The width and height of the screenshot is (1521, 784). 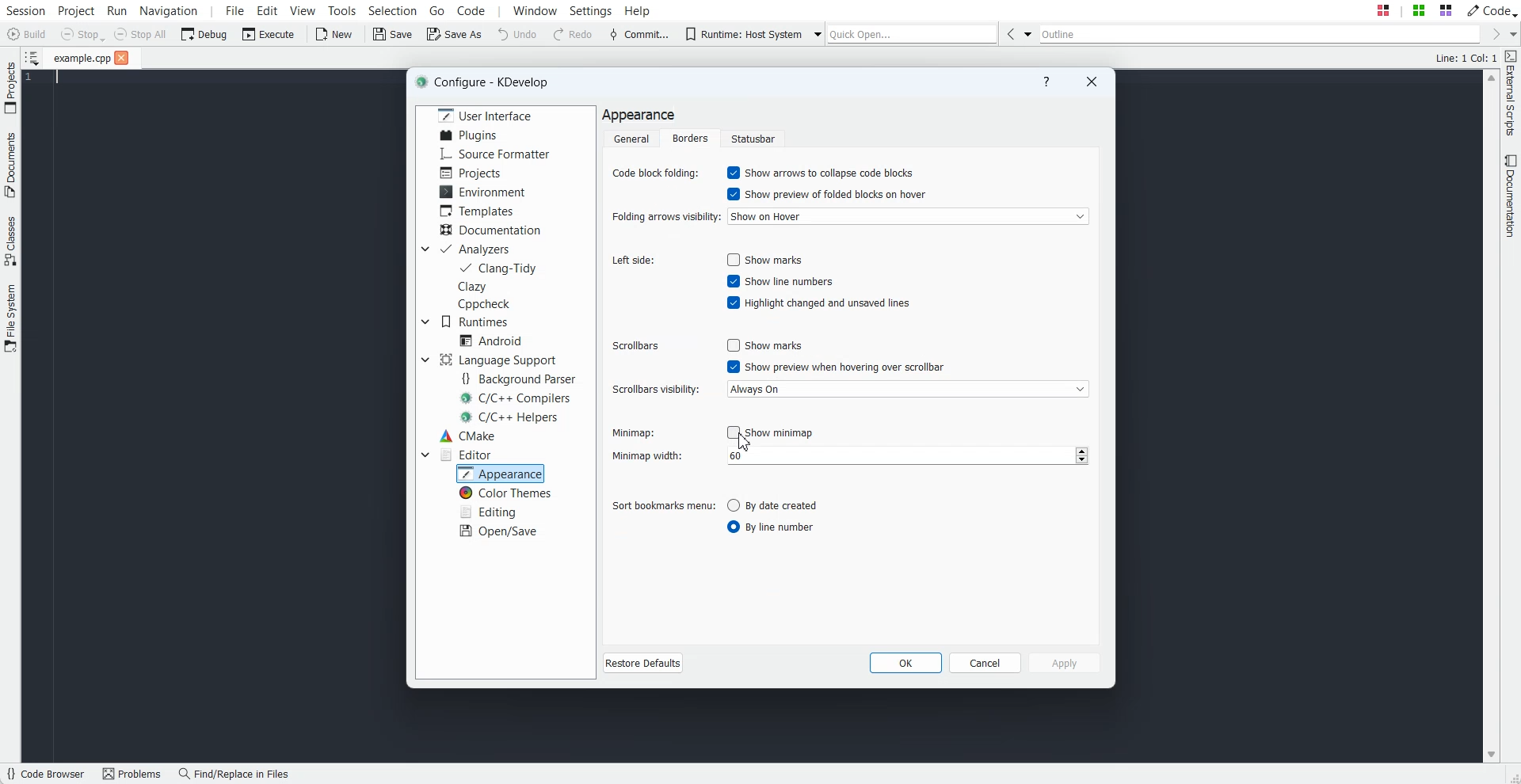 What do you see at coordinates (1491, 78) in the screenshot?
I see `Scroll up` at bounding box center [1491, 78].